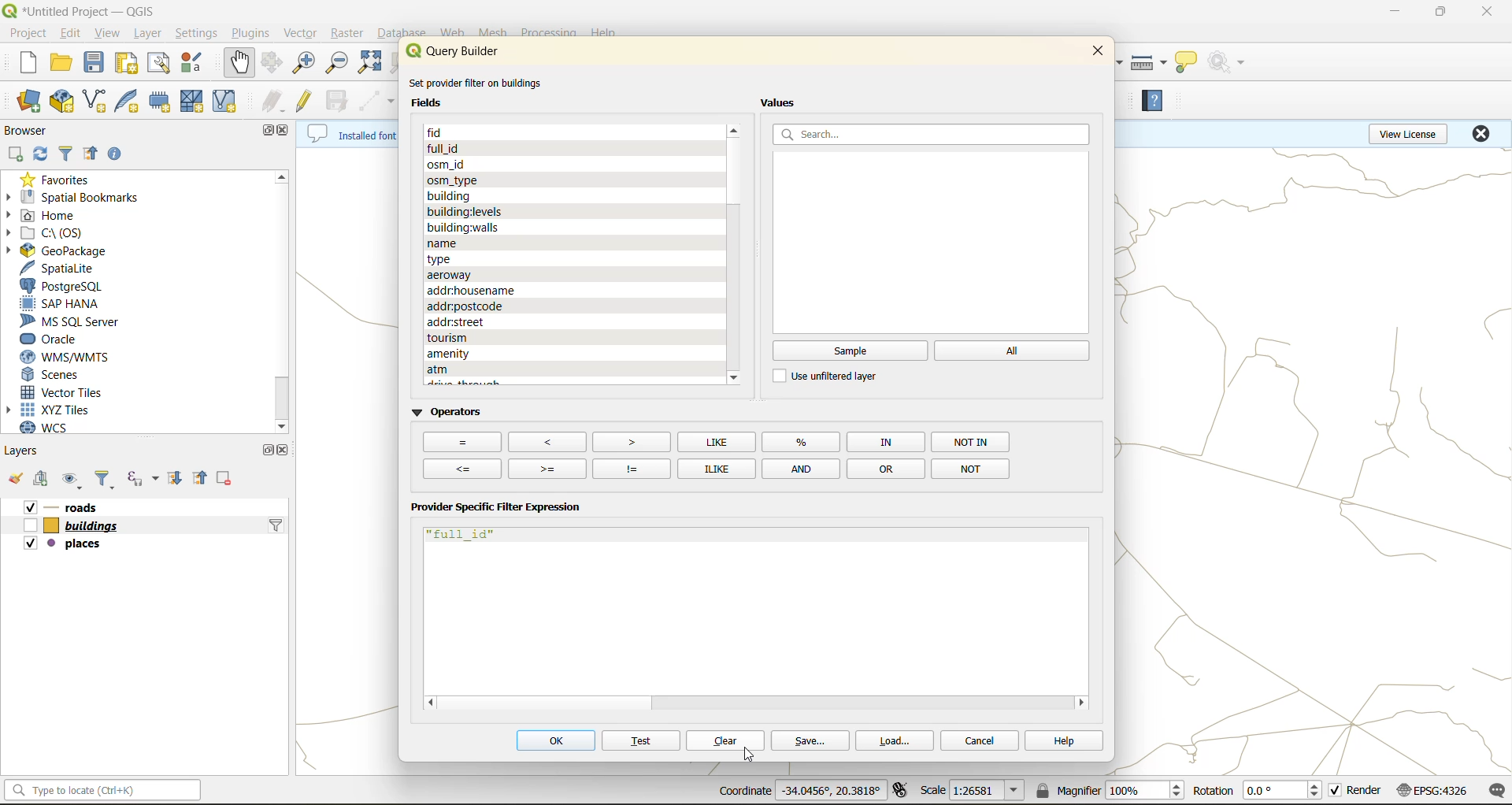 This screenshot has height=805, width=1512. What do you see at coordinates (51, 408) in the screenshot?
I see `xyz tiles` at bounding box center [51, 408].